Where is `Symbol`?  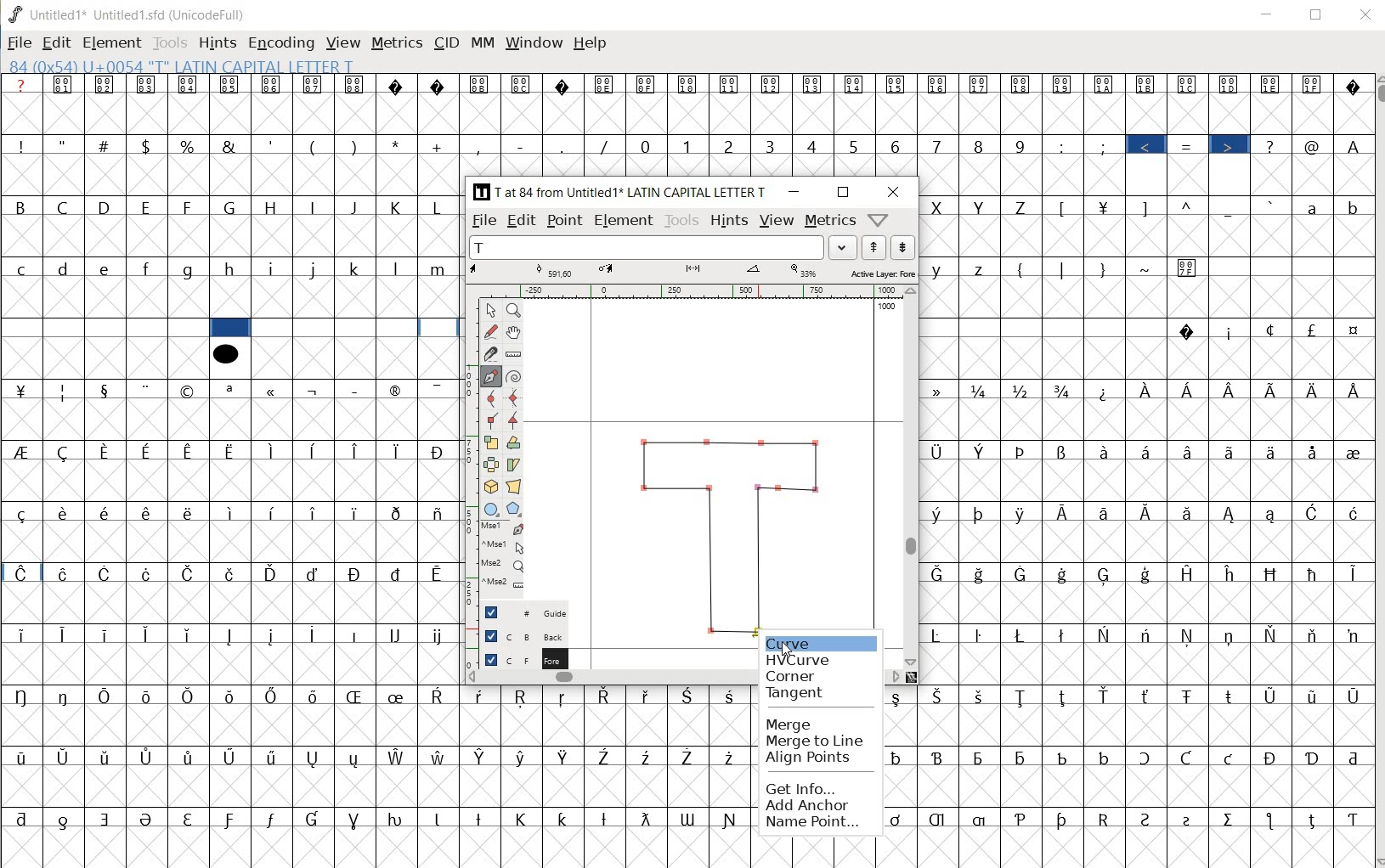
Symbol is located at coordinates (1231, 818).